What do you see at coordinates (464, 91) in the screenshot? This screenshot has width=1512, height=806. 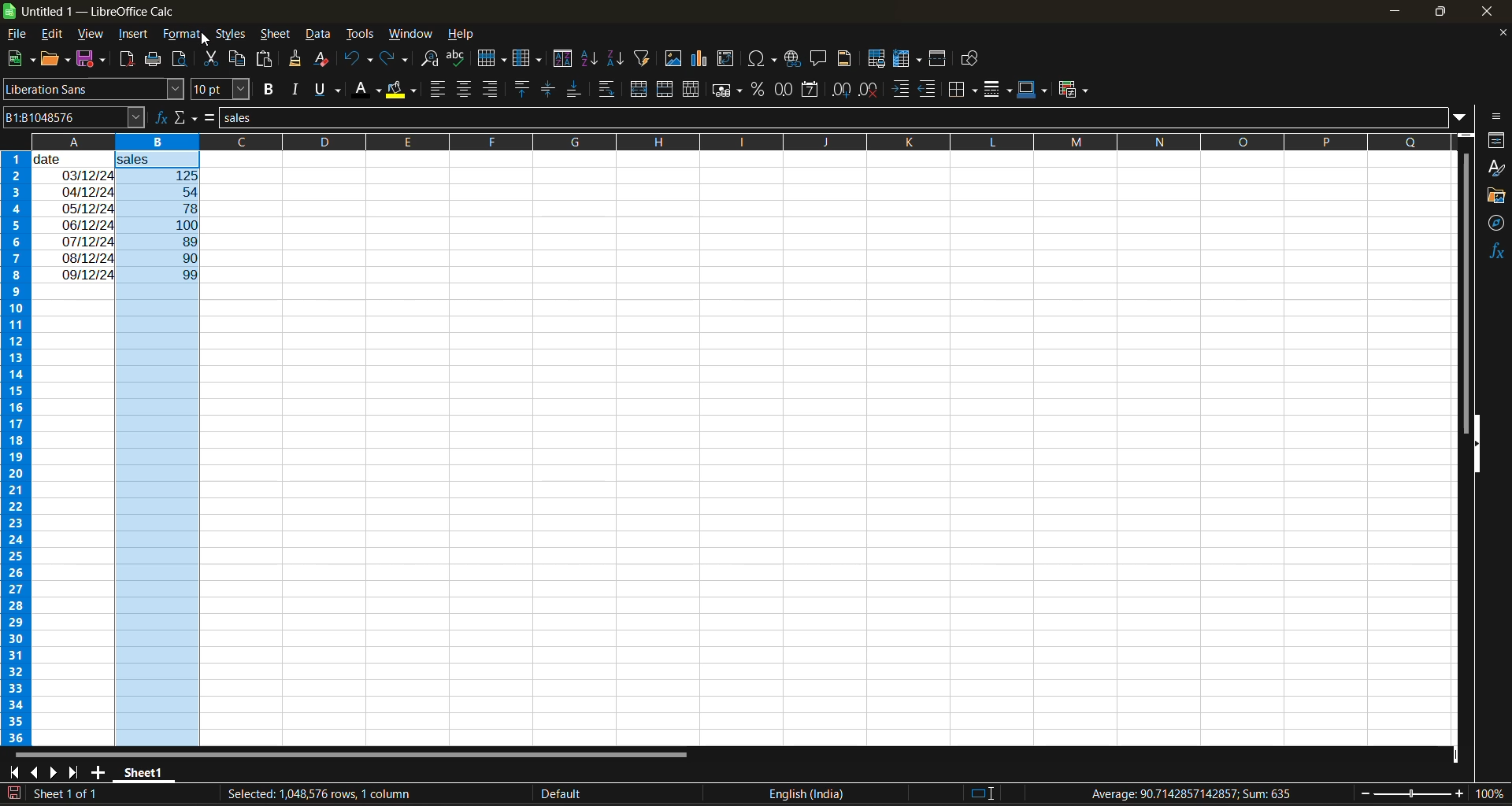 I see `align center` at bounding box center [464, 91].